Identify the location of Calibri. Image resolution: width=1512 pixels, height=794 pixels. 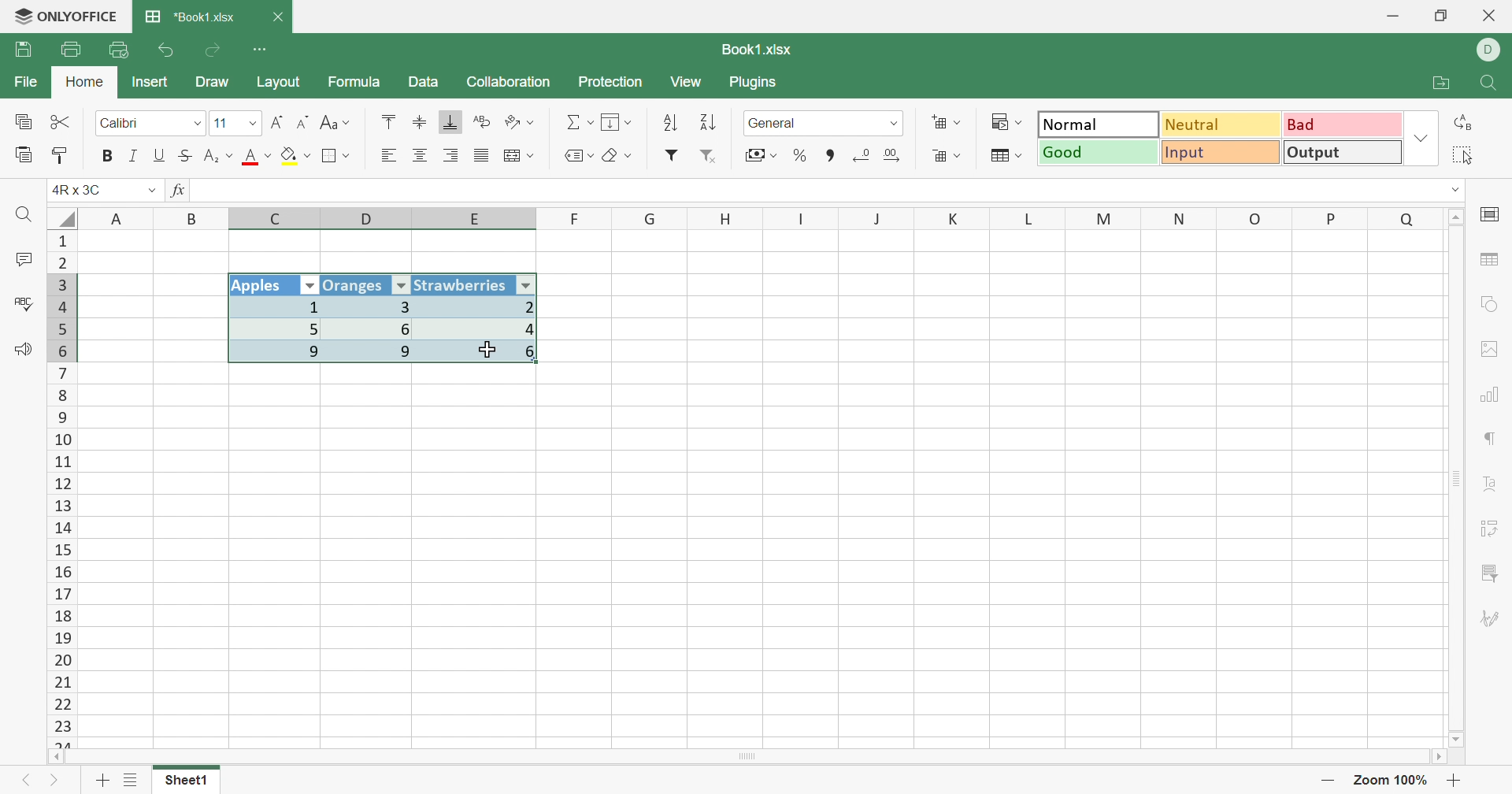
(120, 124).